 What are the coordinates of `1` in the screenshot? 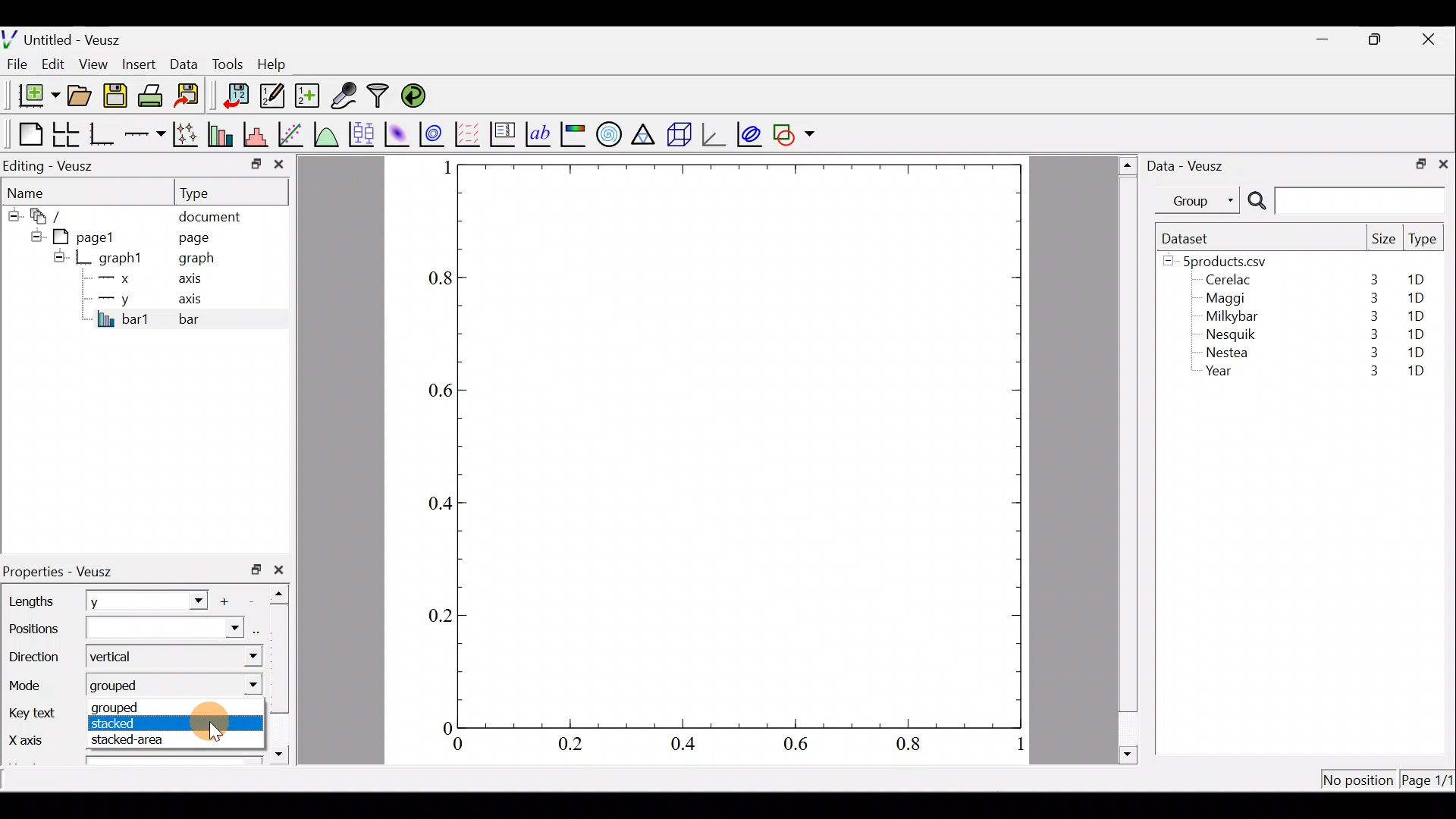 It's located at (446, 167).